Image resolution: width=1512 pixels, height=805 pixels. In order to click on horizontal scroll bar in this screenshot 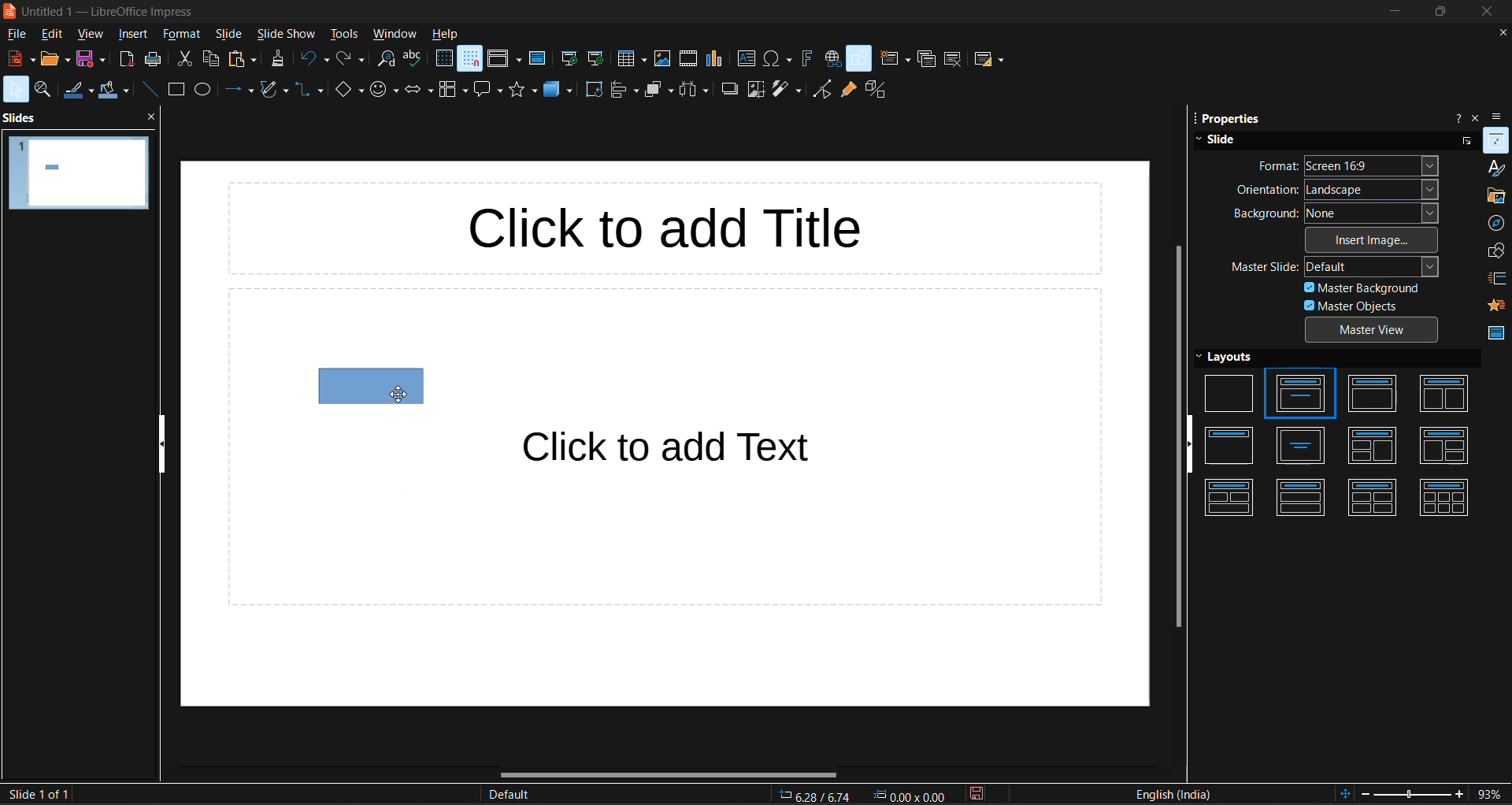, I will do `click(669, 773)`.